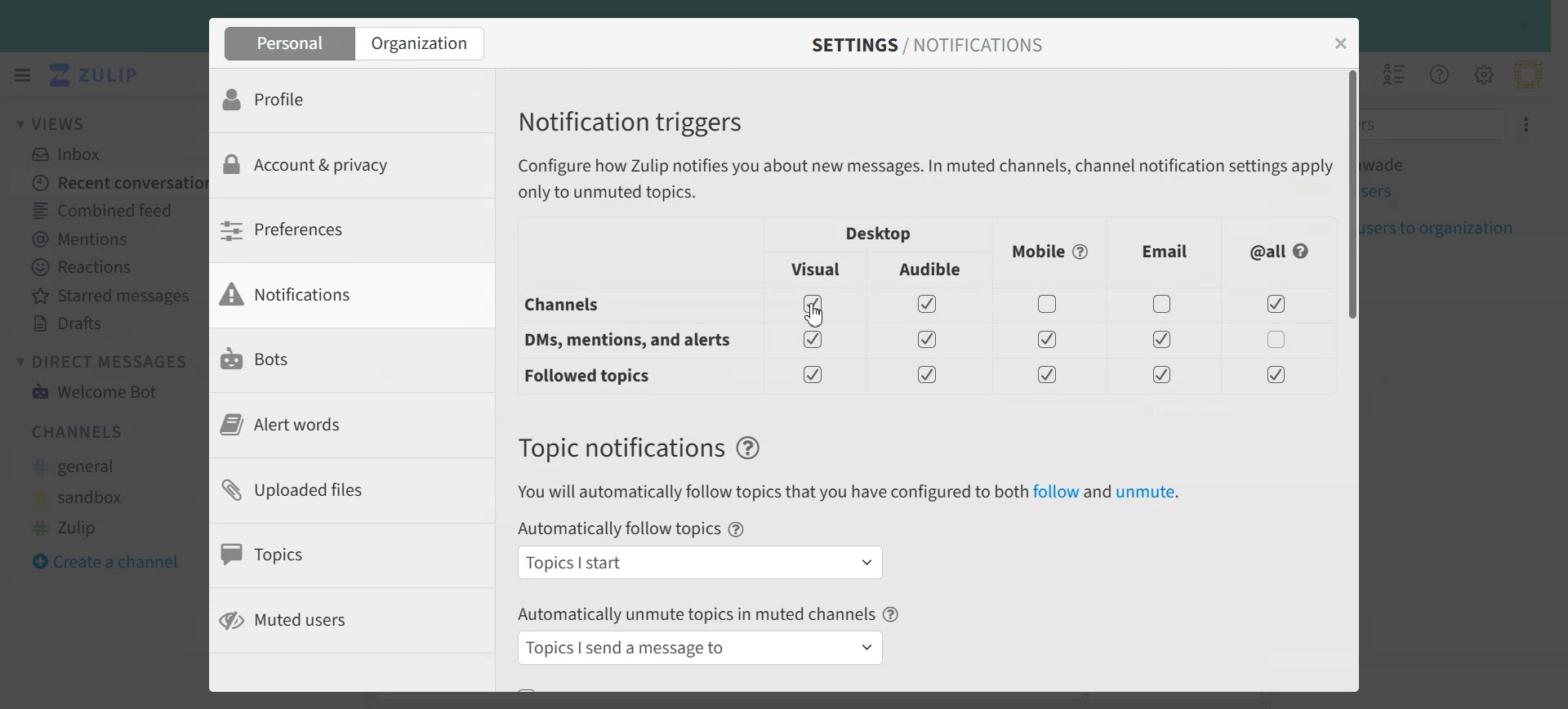 The image size is (1568, 709). What do you see at coordinates (332, 100) in the screenshot?
I see `Profile` at bounding box center [332, 100].